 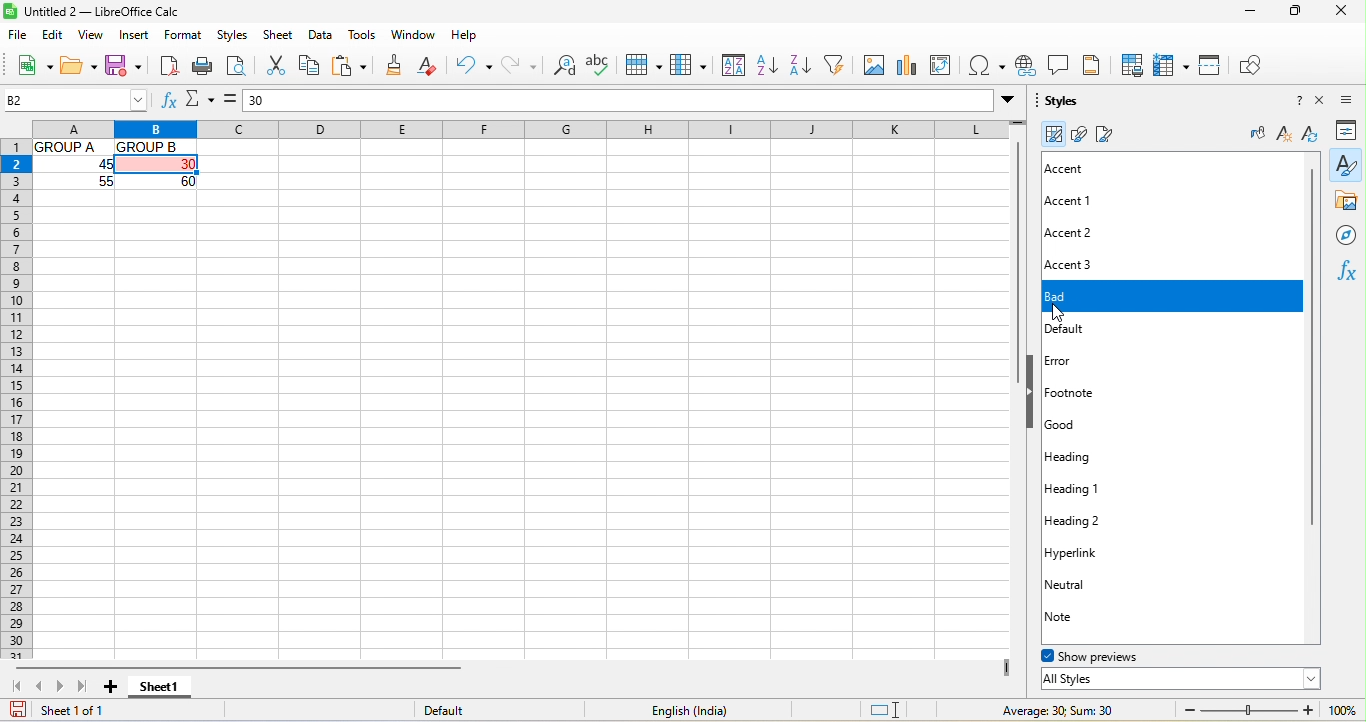 What do you see at coordinates (353, 67) in the screenshot?
I see `paste` at bounding box center [353, 67].